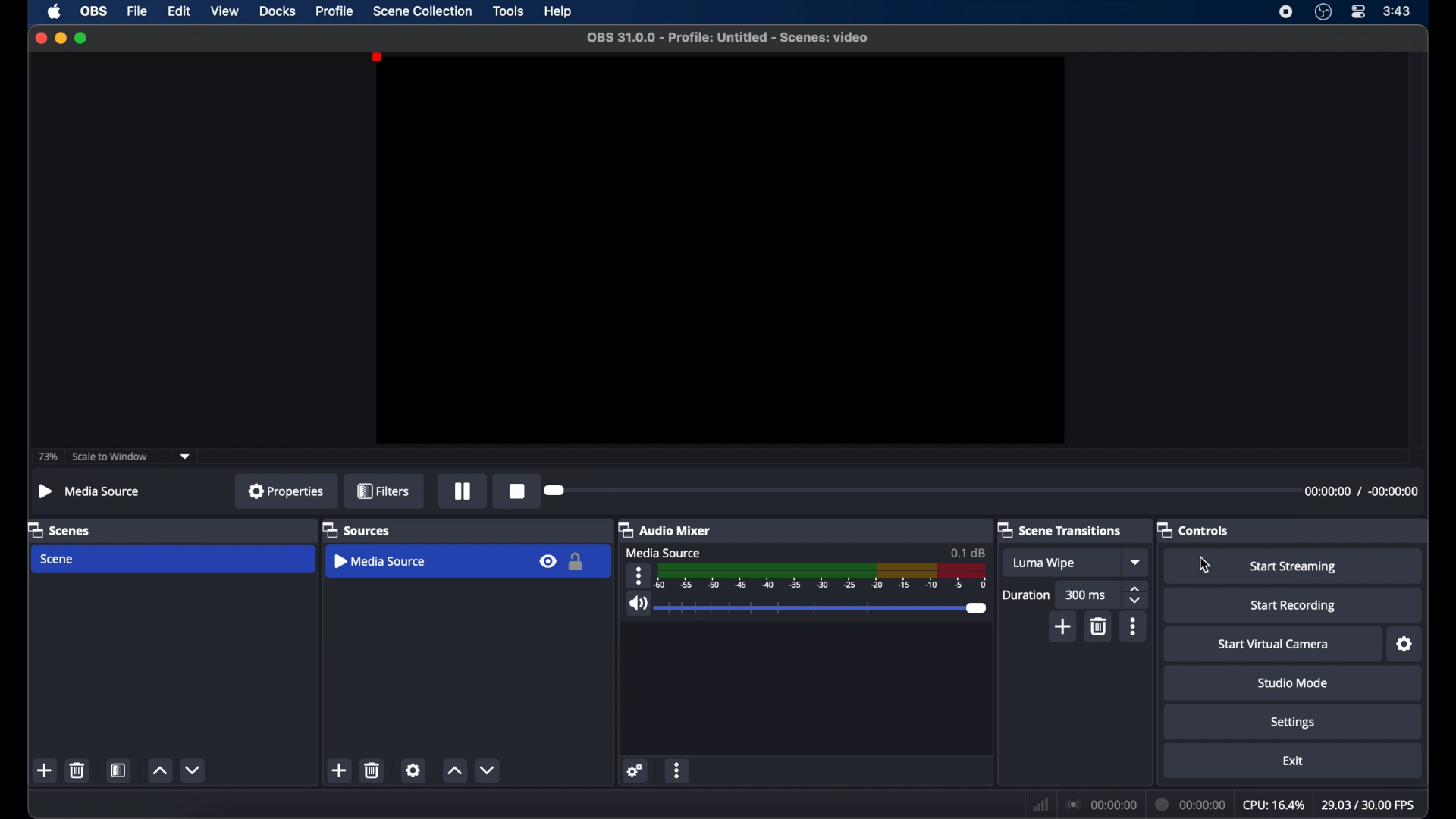 The height and width of the screenshot is (819, 1456). I want to click on maximize, so click(83, 38).